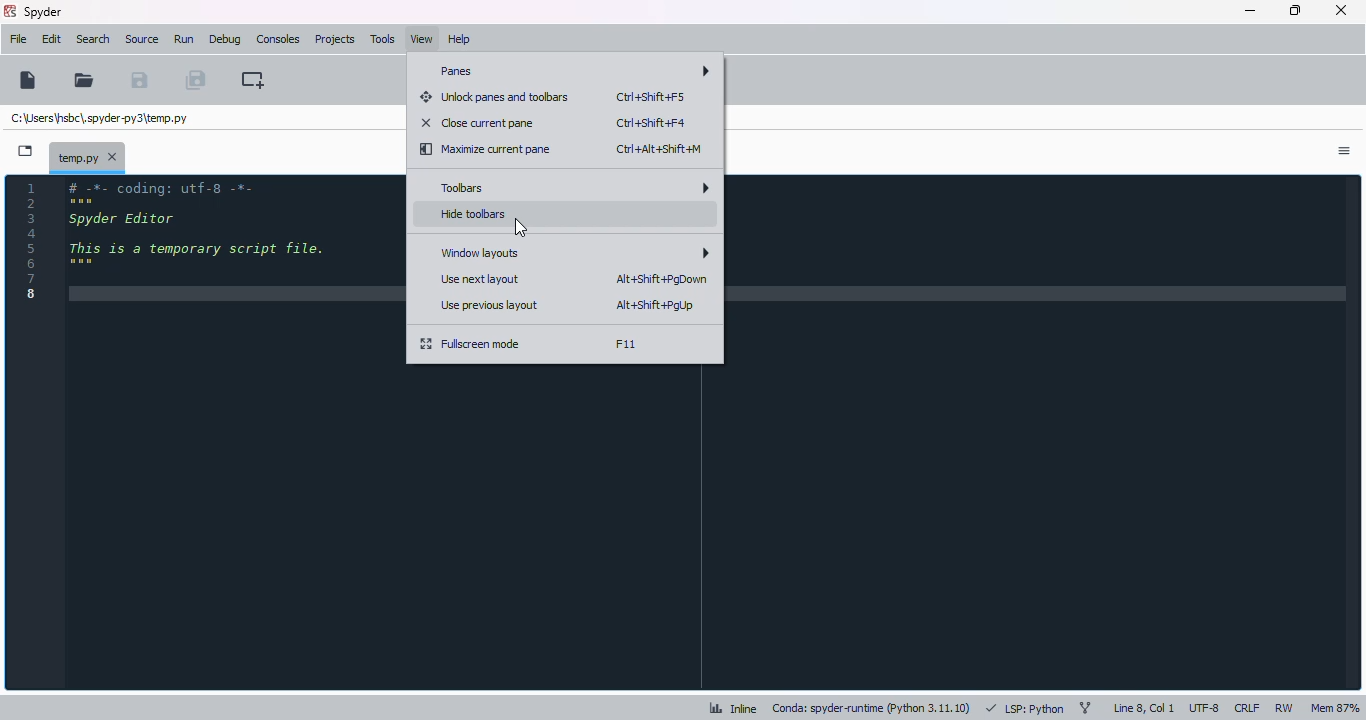 The width and height of the screenshot is (1366, 720). What do you see at coordinates (9, 11) in the screenshot?
I see `logo` at bounding box center [9, 11].